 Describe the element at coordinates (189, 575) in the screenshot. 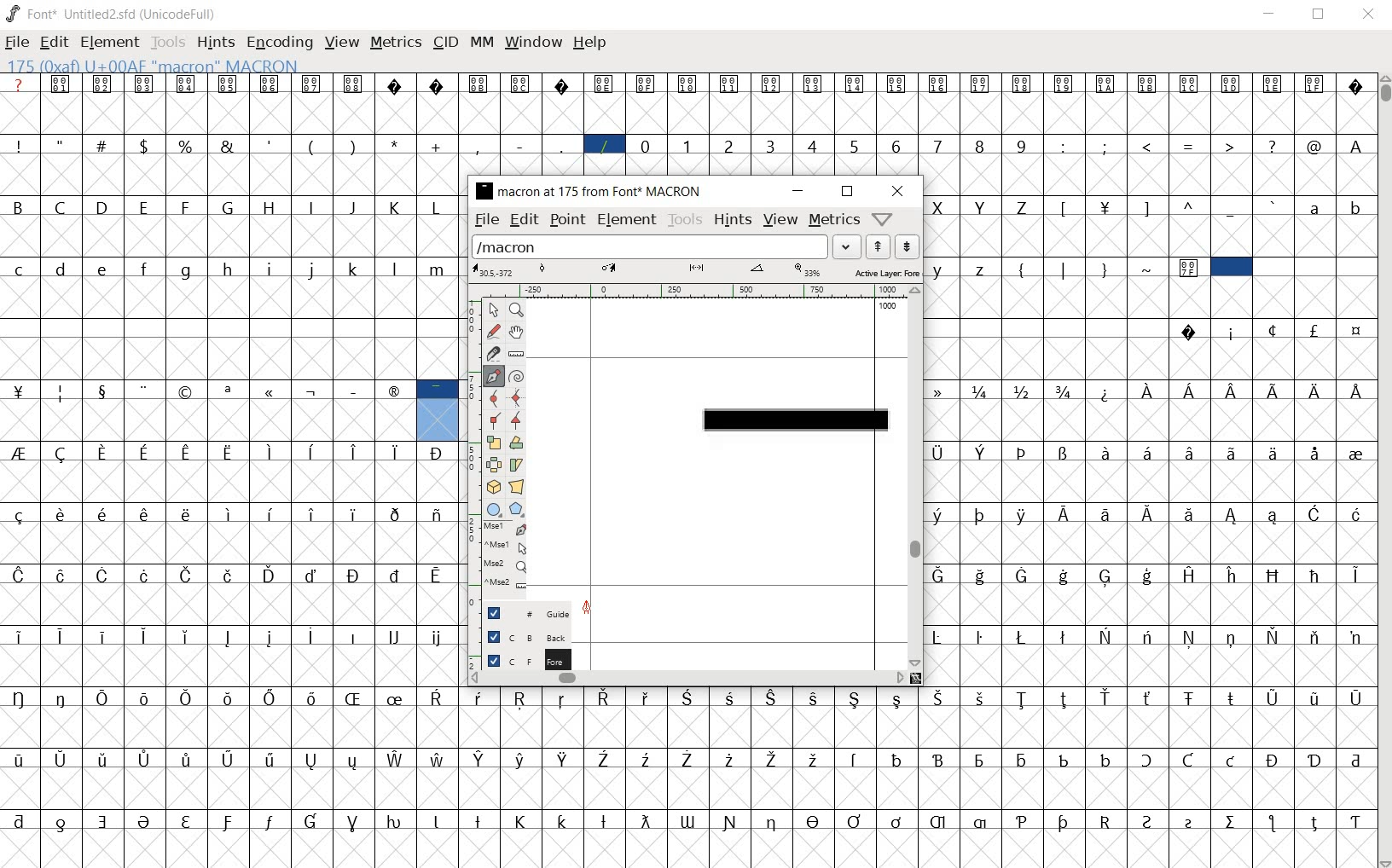

I see `Symbol` at that location.